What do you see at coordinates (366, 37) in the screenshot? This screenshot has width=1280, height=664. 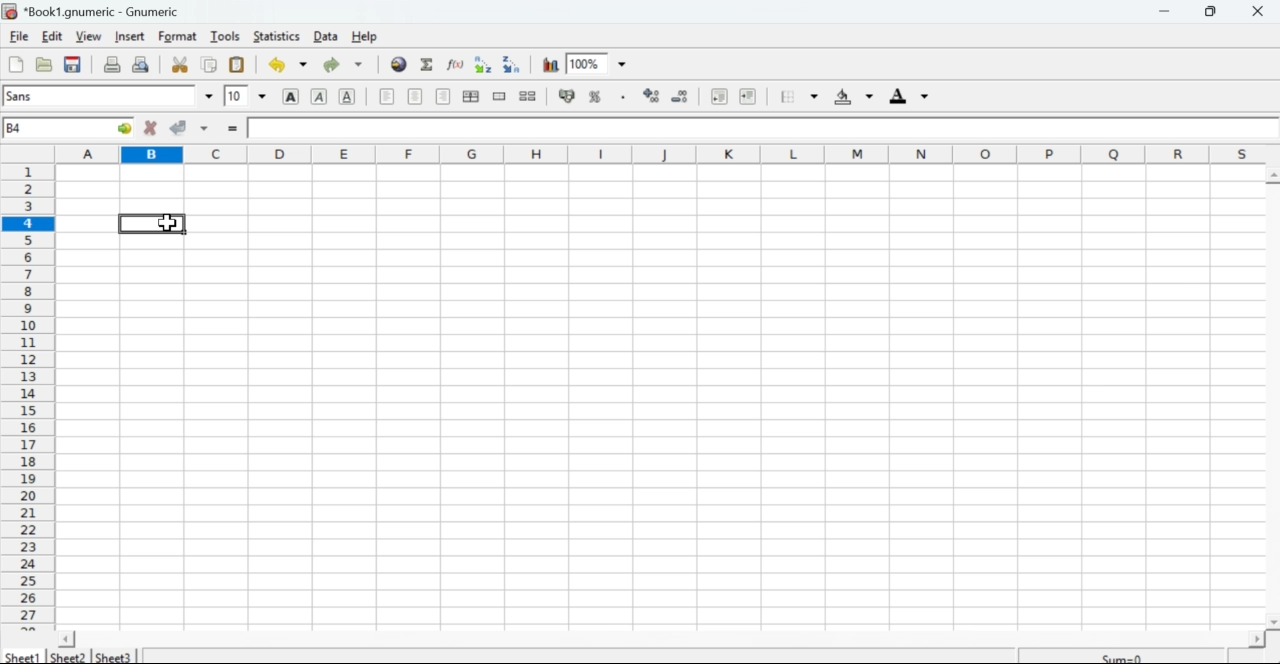 I see `Help` at bounding box center [366, 37].